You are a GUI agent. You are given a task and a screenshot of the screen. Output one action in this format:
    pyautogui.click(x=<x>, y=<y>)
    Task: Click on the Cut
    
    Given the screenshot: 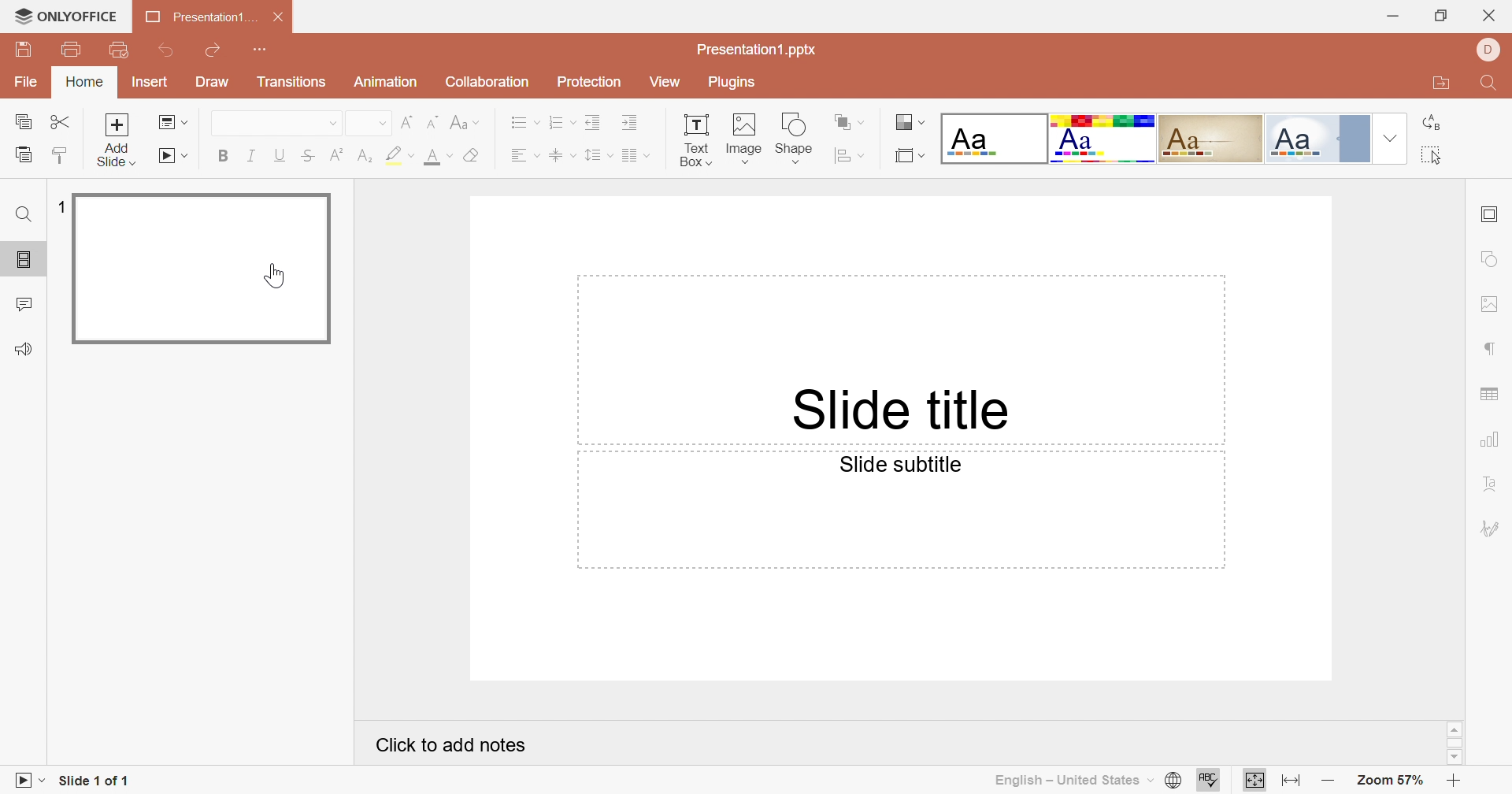 What is the action you would take?
    pyautogui.click(x=64, y=119)
    